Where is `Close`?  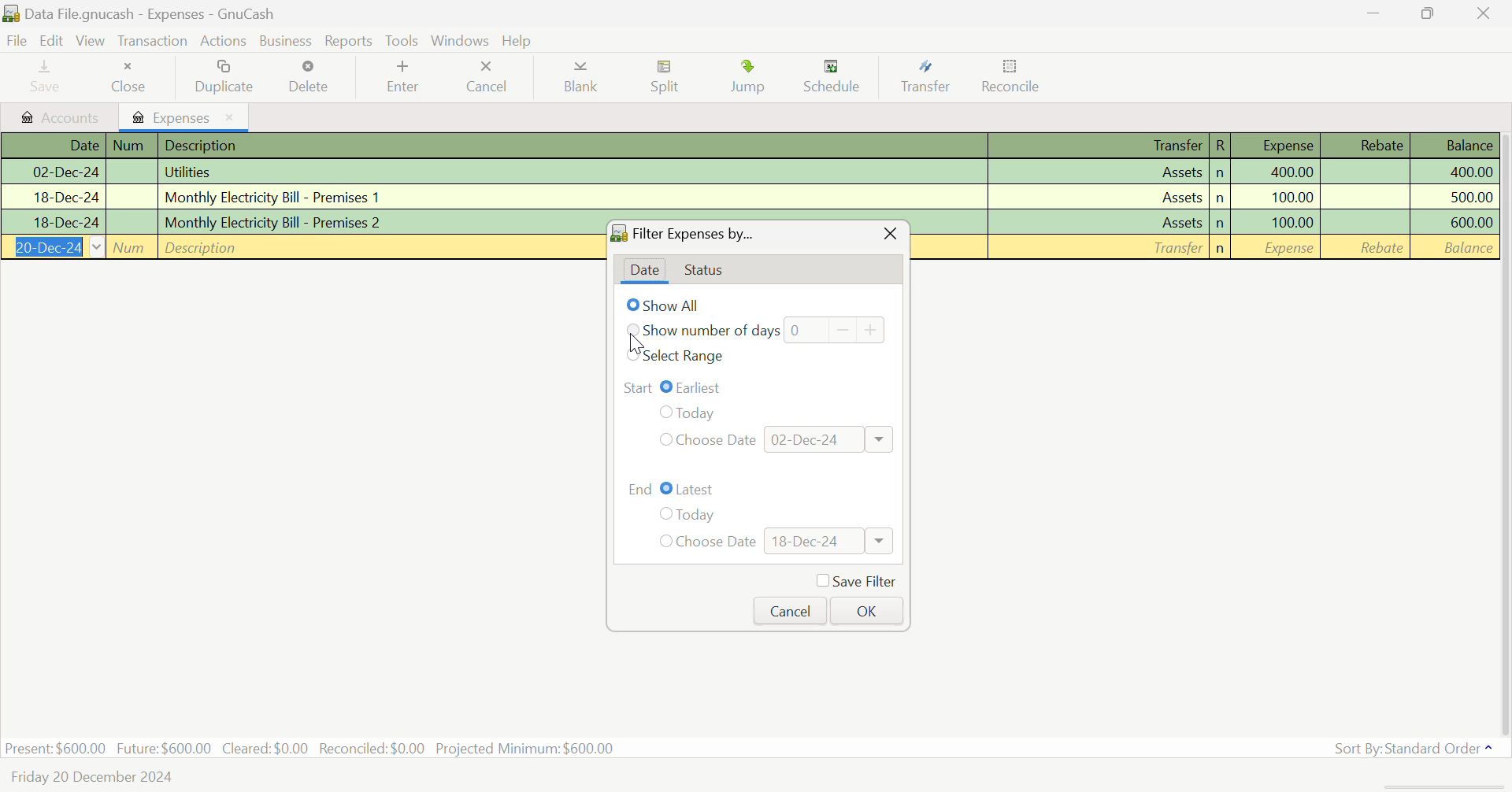
Close is located at coordinates (1484, 13).